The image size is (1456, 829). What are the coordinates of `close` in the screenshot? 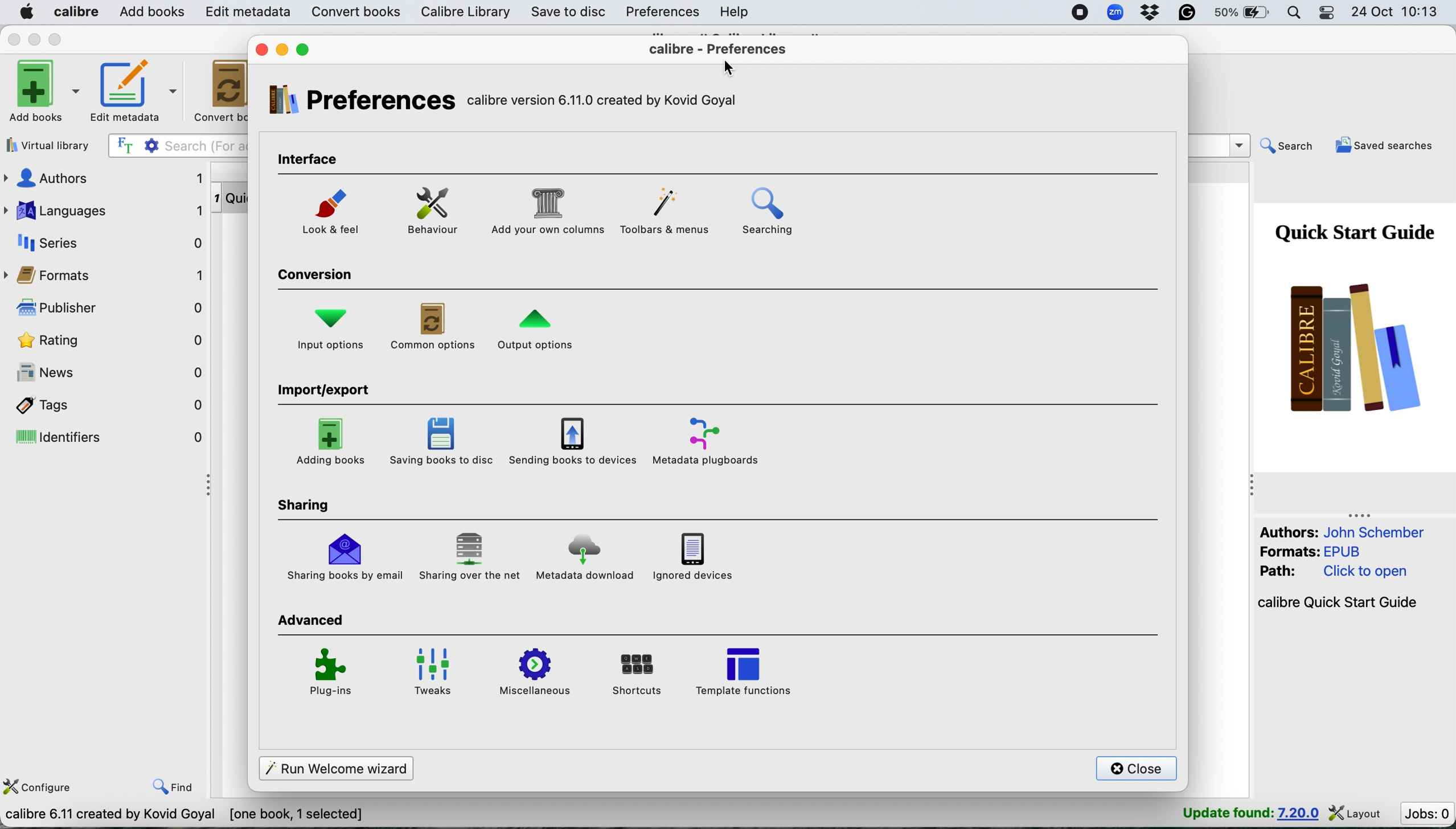 It's located at (11, 39).